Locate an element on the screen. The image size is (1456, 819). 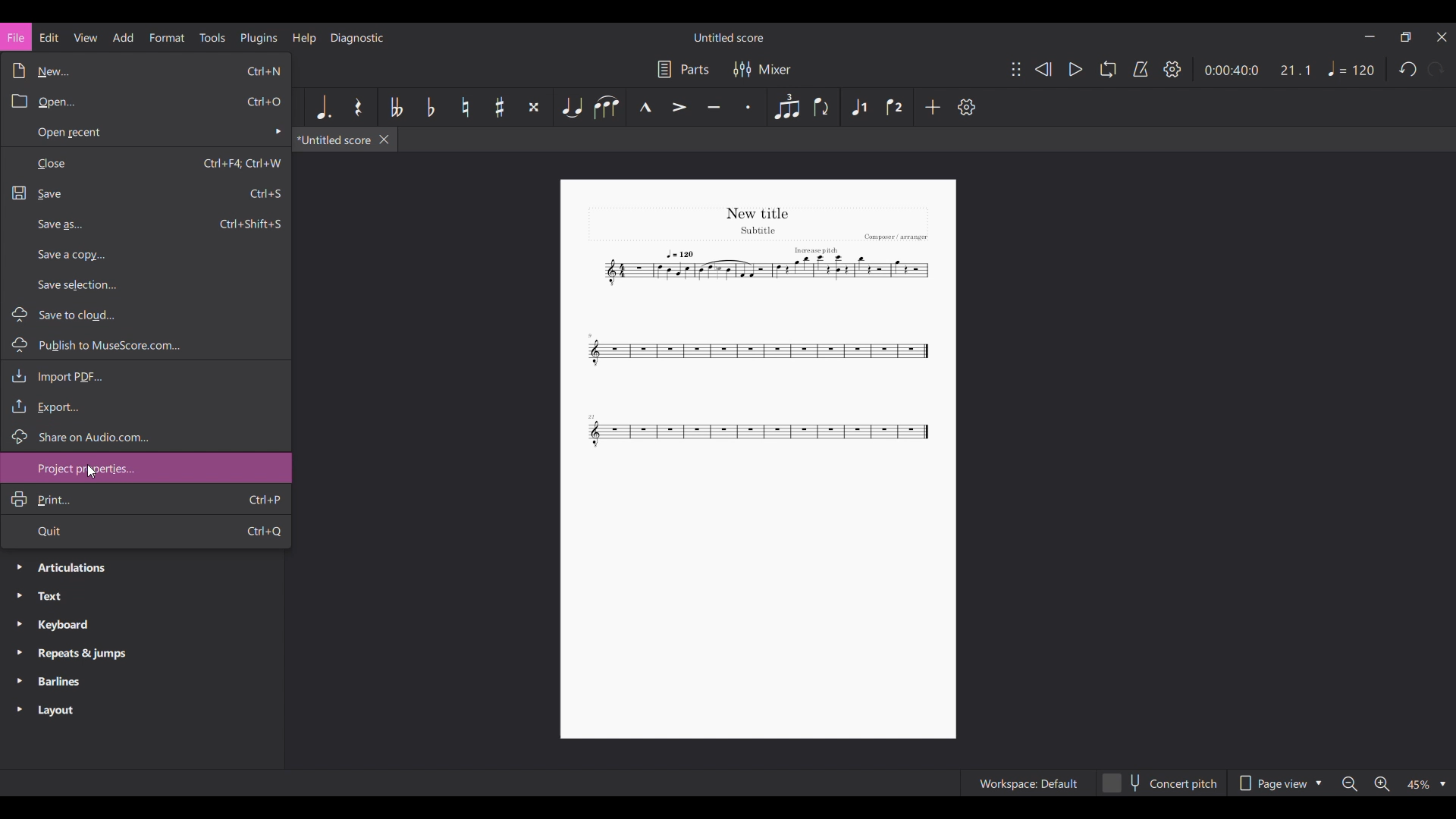
Untitled score is located at coordinates (728, 38).